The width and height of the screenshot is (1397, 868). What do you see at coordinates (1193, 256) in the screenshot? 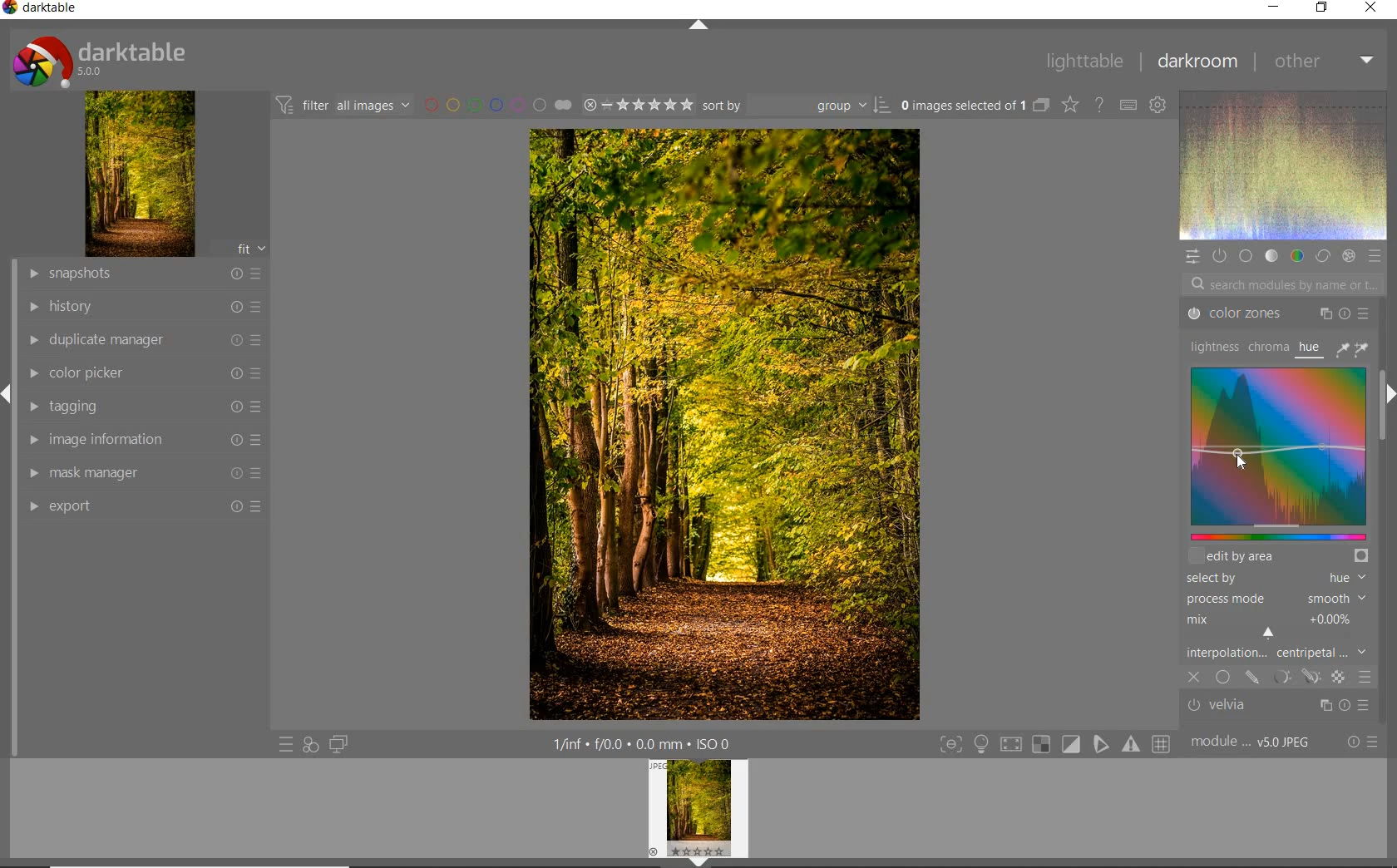
I see `QUICK ACCESS PANEL` at bounding box center [1193, 256].